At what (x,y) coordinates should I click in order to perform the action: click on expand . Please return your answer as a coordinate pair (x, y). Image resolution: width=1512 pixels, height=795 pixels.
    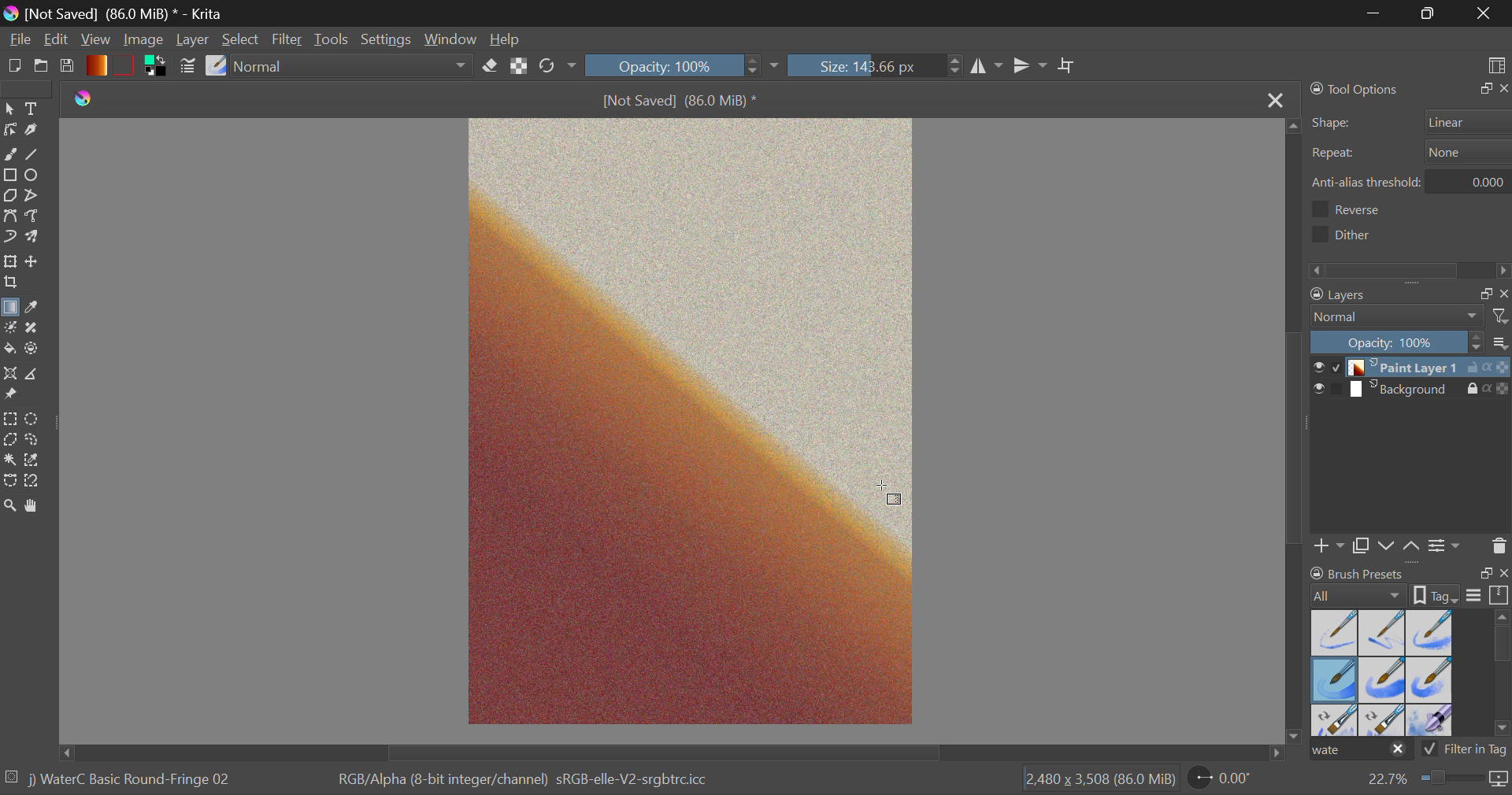
    Looking at the image, I should click on (1482, 89).